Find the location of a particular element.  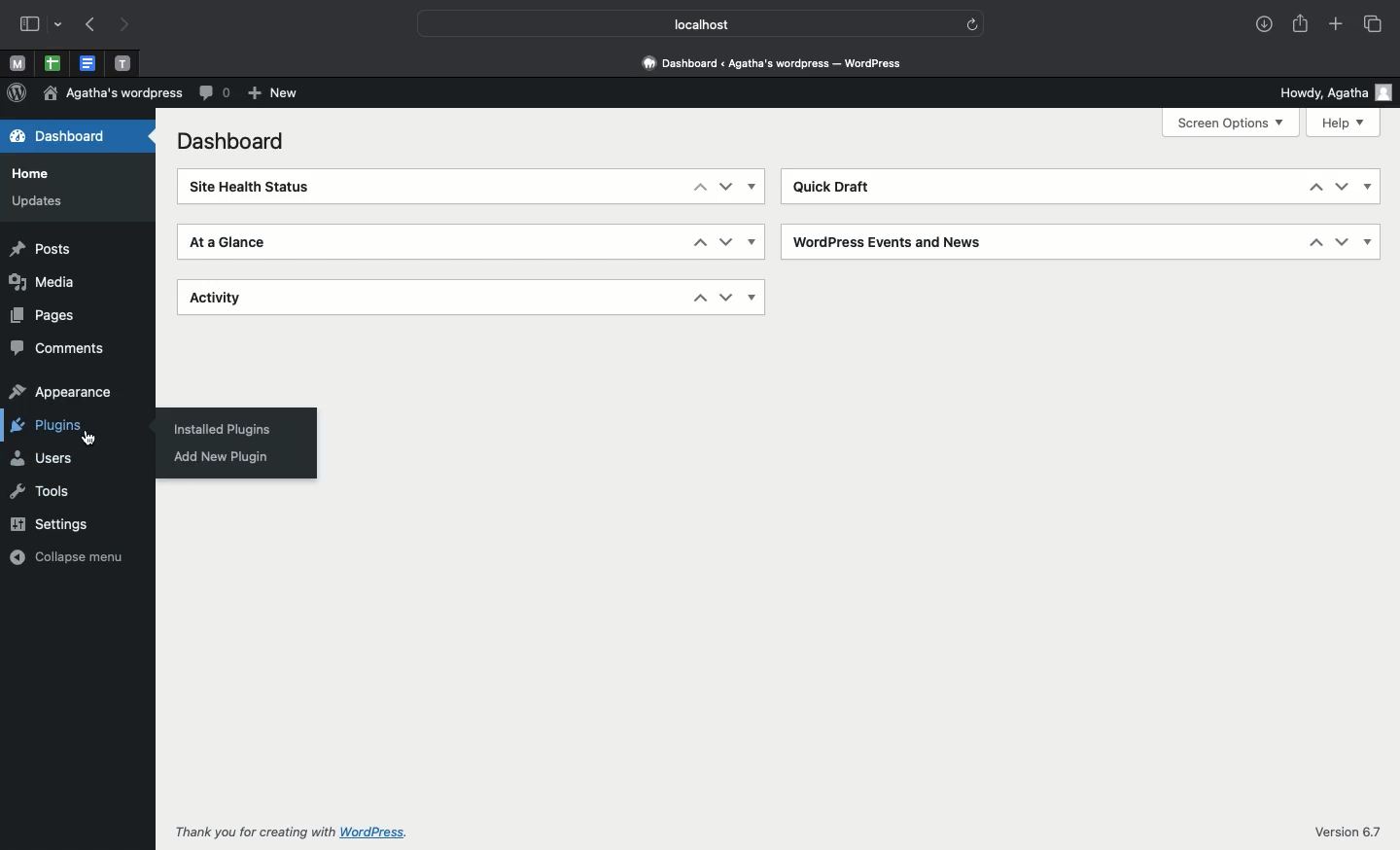

Show is located at coordinates (752, 297).